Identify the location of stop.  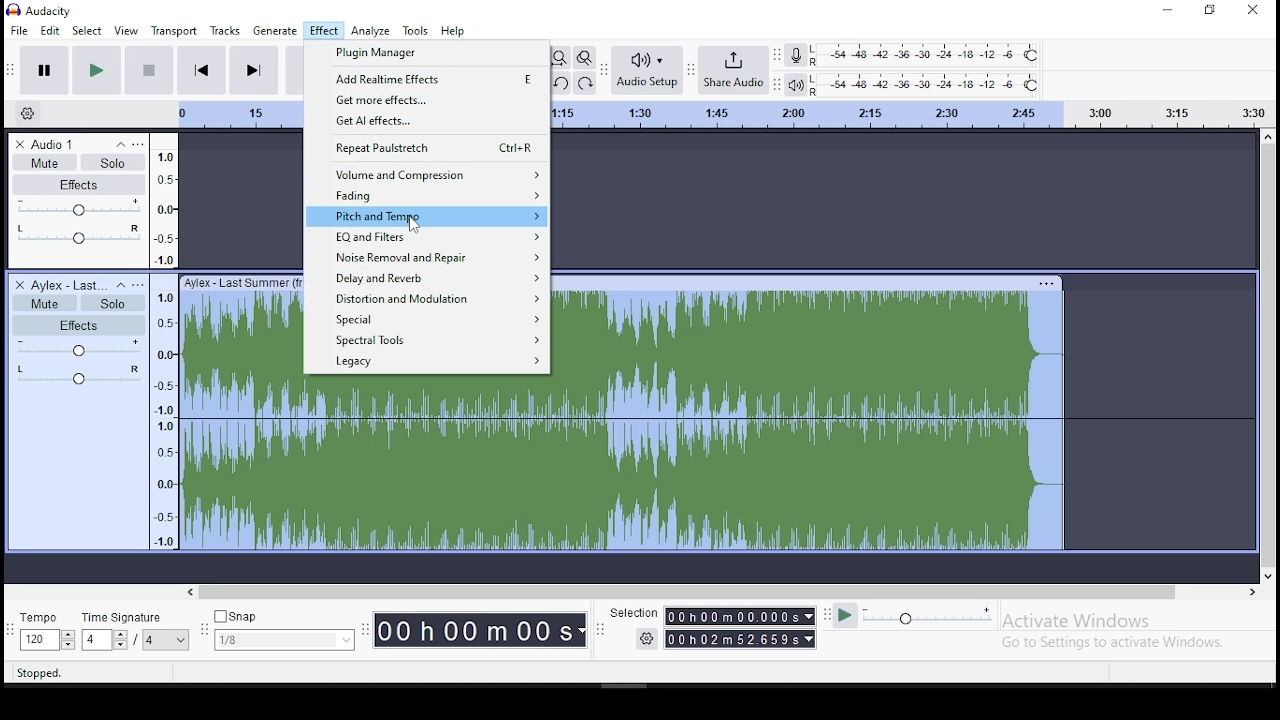
(150, 70).